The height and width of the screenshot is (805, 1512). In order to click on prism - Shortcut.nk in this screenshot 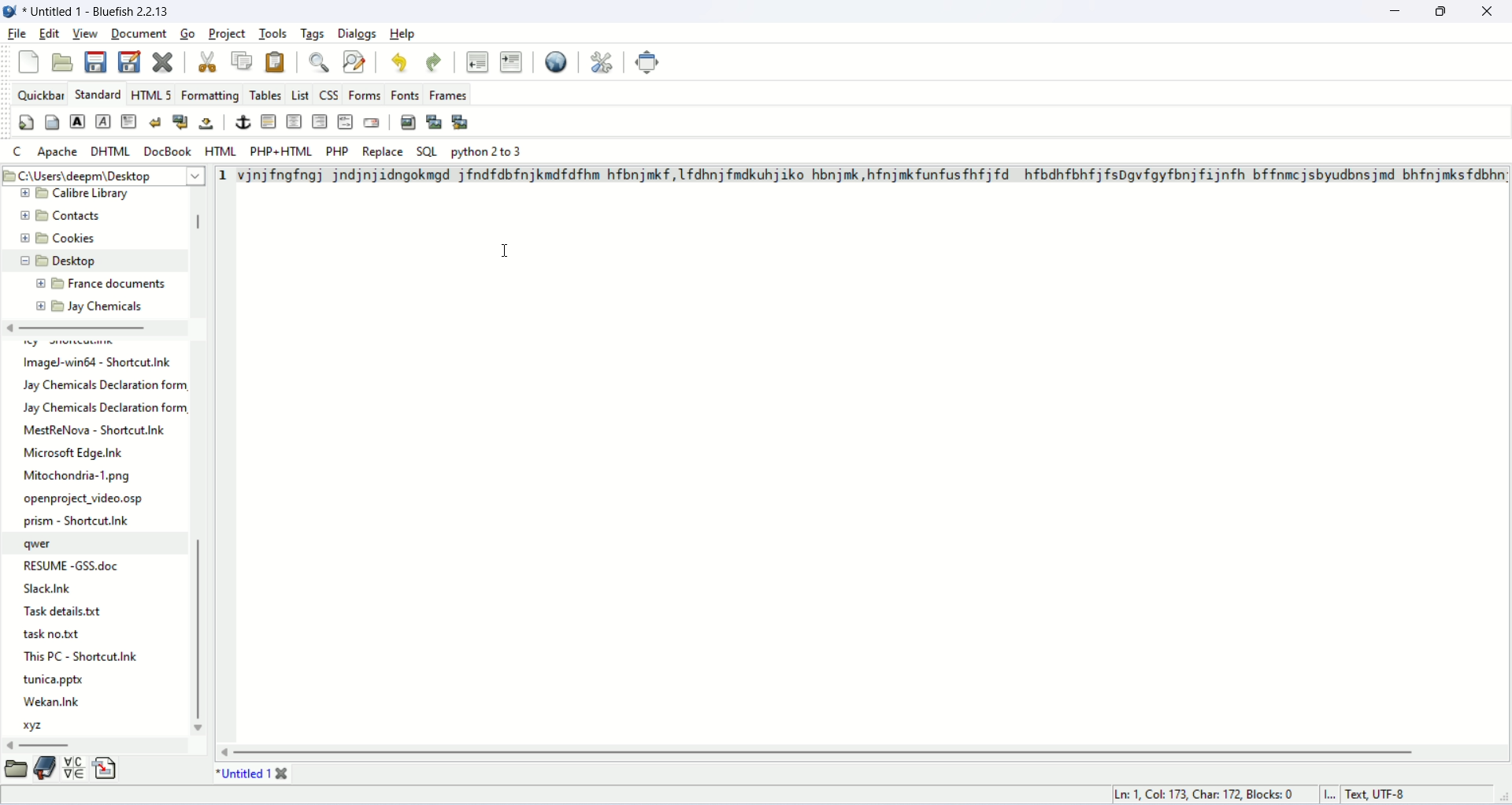, I will do `click(80, 521)`.